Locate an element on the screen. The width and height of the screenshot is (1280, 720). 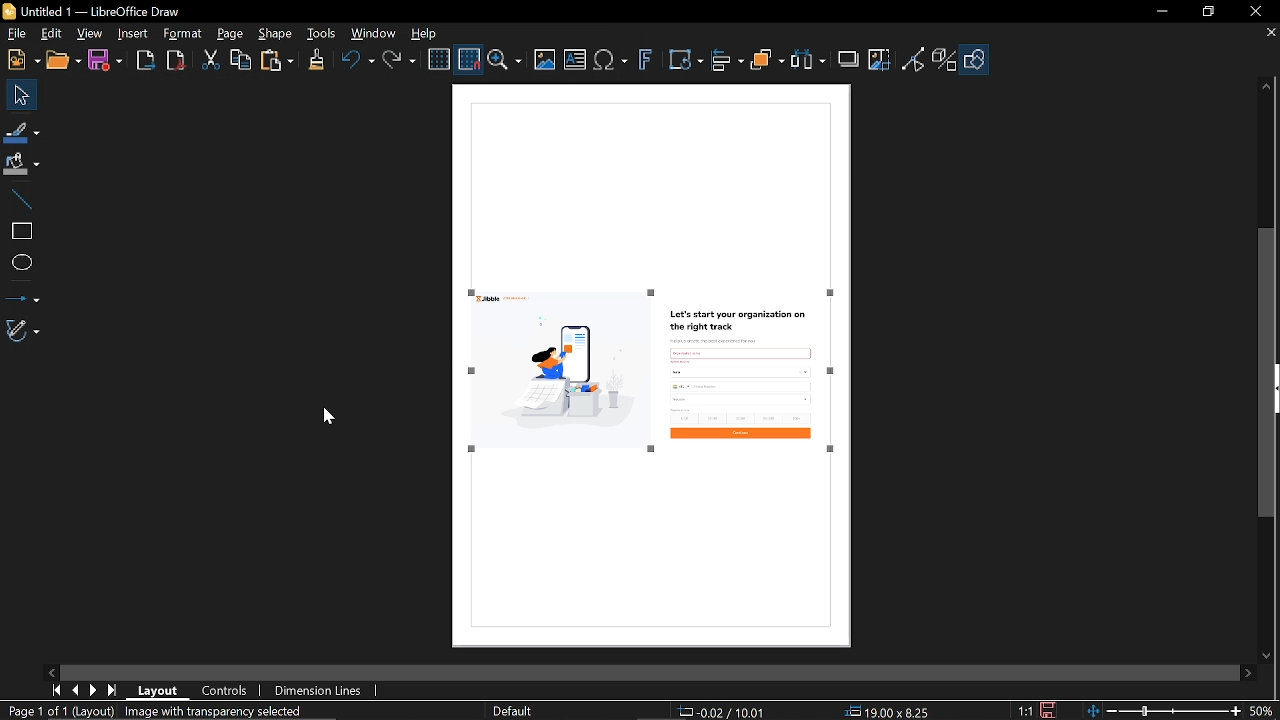
Click to save is located at coordinates (1048, 710).